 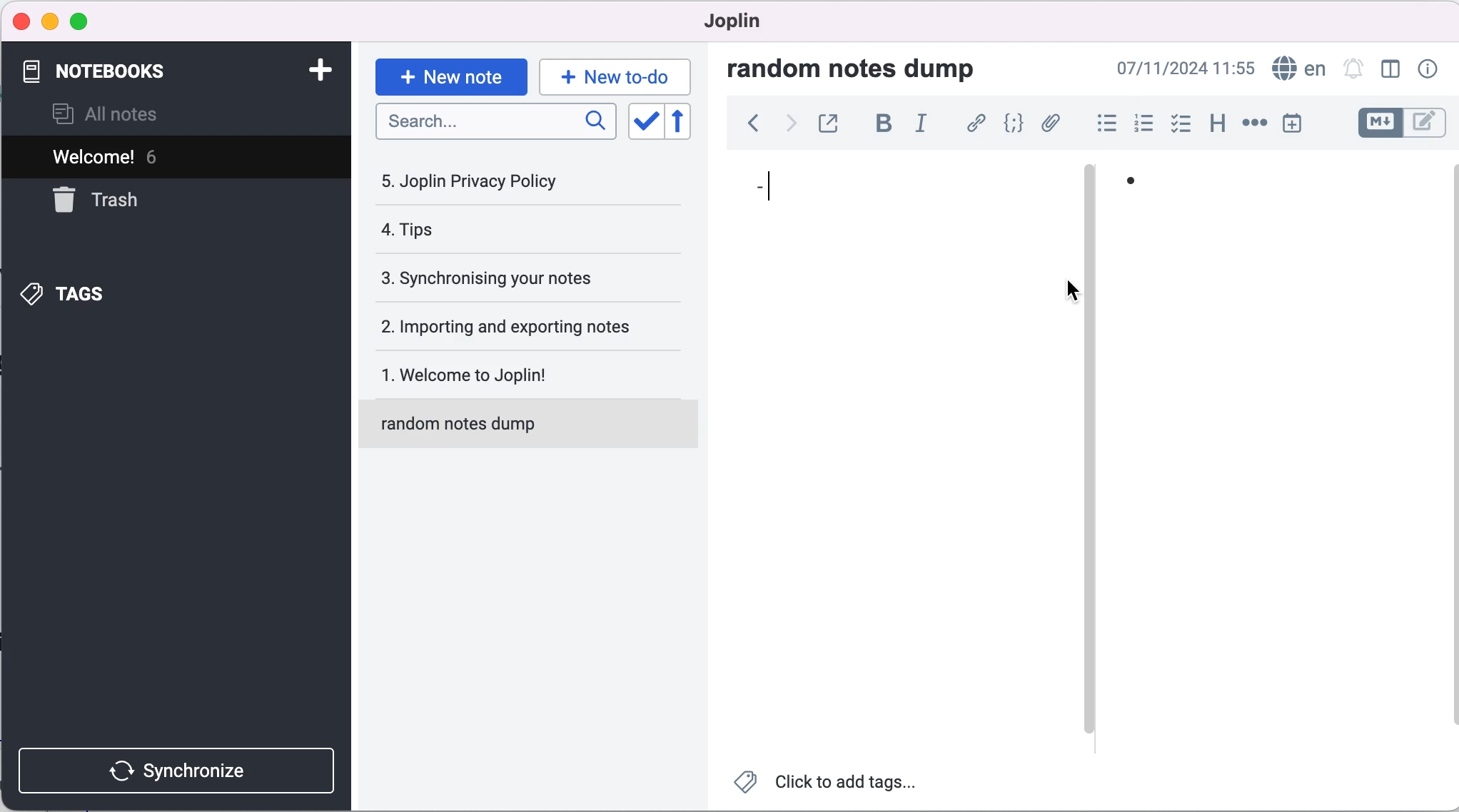 What do you see at coordinates (535, 430) in the screenshot?
I see `random notes dump` at bounding box center [535, 430].